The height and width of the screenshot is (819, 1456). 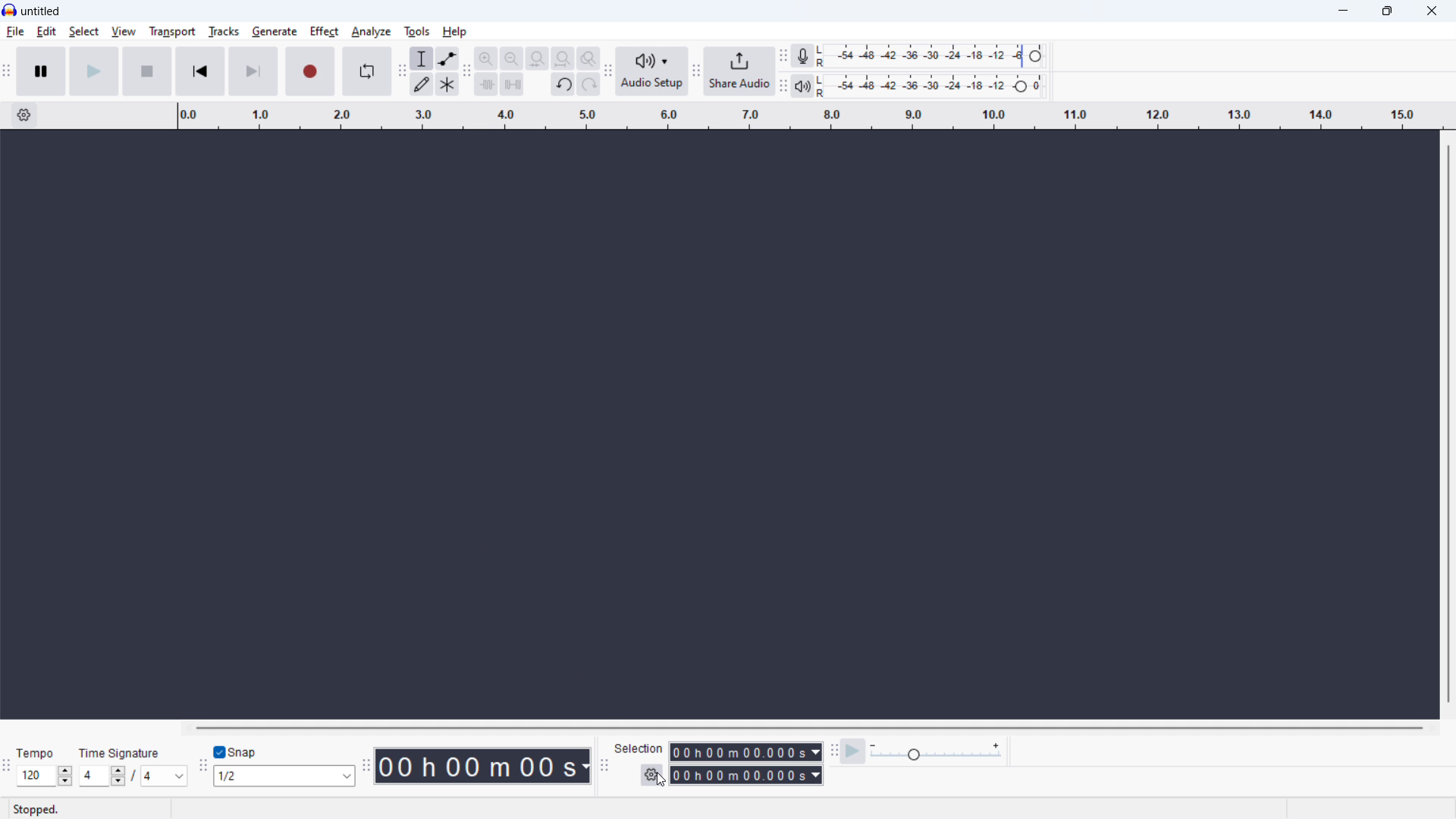 What do you see at coordinates (696, 73) in the screenshot?
I see `share audio toolbar` at bounding box center [696, 73].